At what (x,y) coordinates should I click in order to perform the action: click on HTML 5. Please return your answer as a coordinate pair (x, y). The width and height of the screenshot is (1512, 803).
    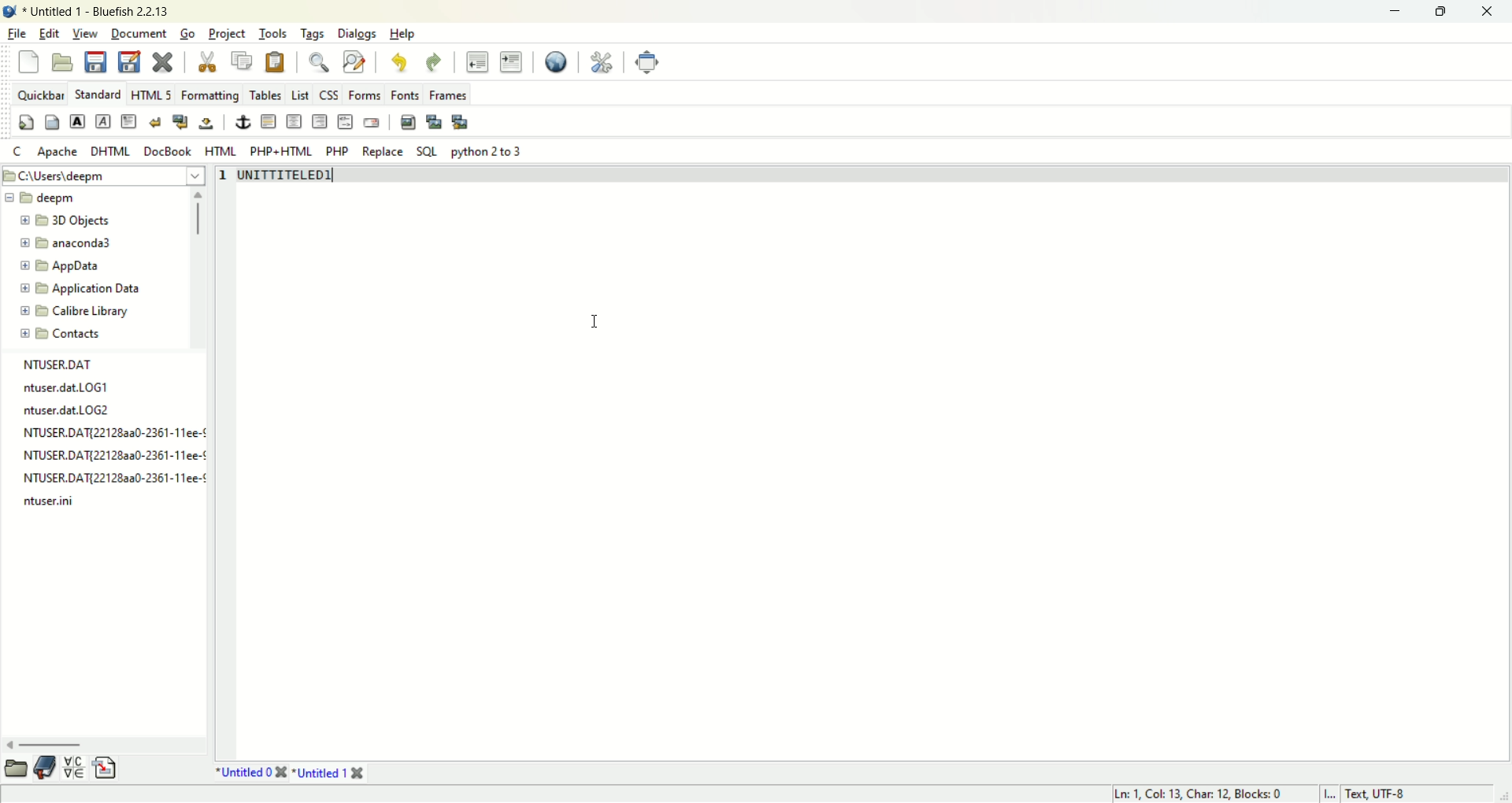
    Looking at the image, I should click on (150, 96).